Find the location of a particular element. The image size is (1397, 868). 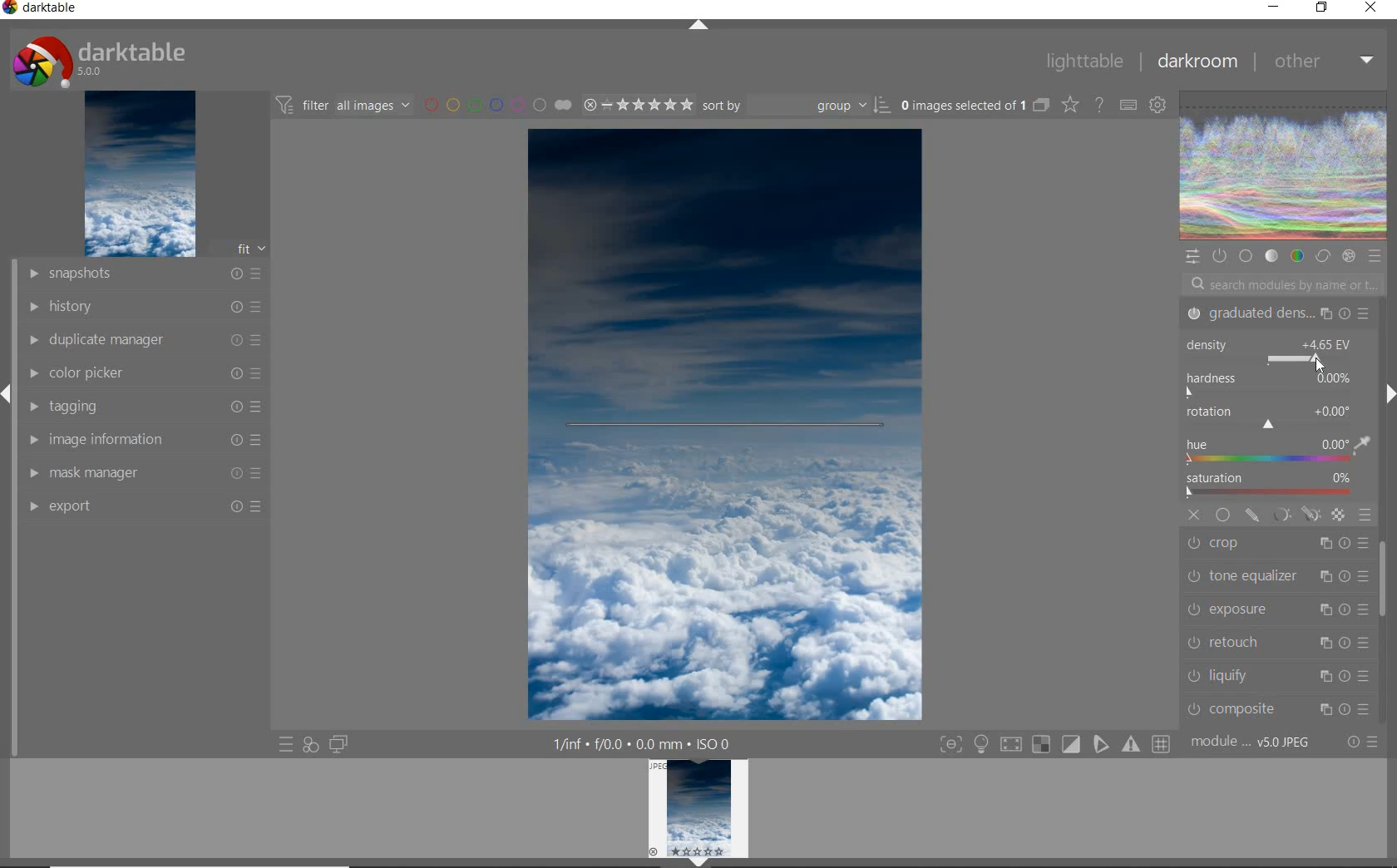

DEFINE KEYBOARD SHORTCUT is located at coordinates (1128, 106).